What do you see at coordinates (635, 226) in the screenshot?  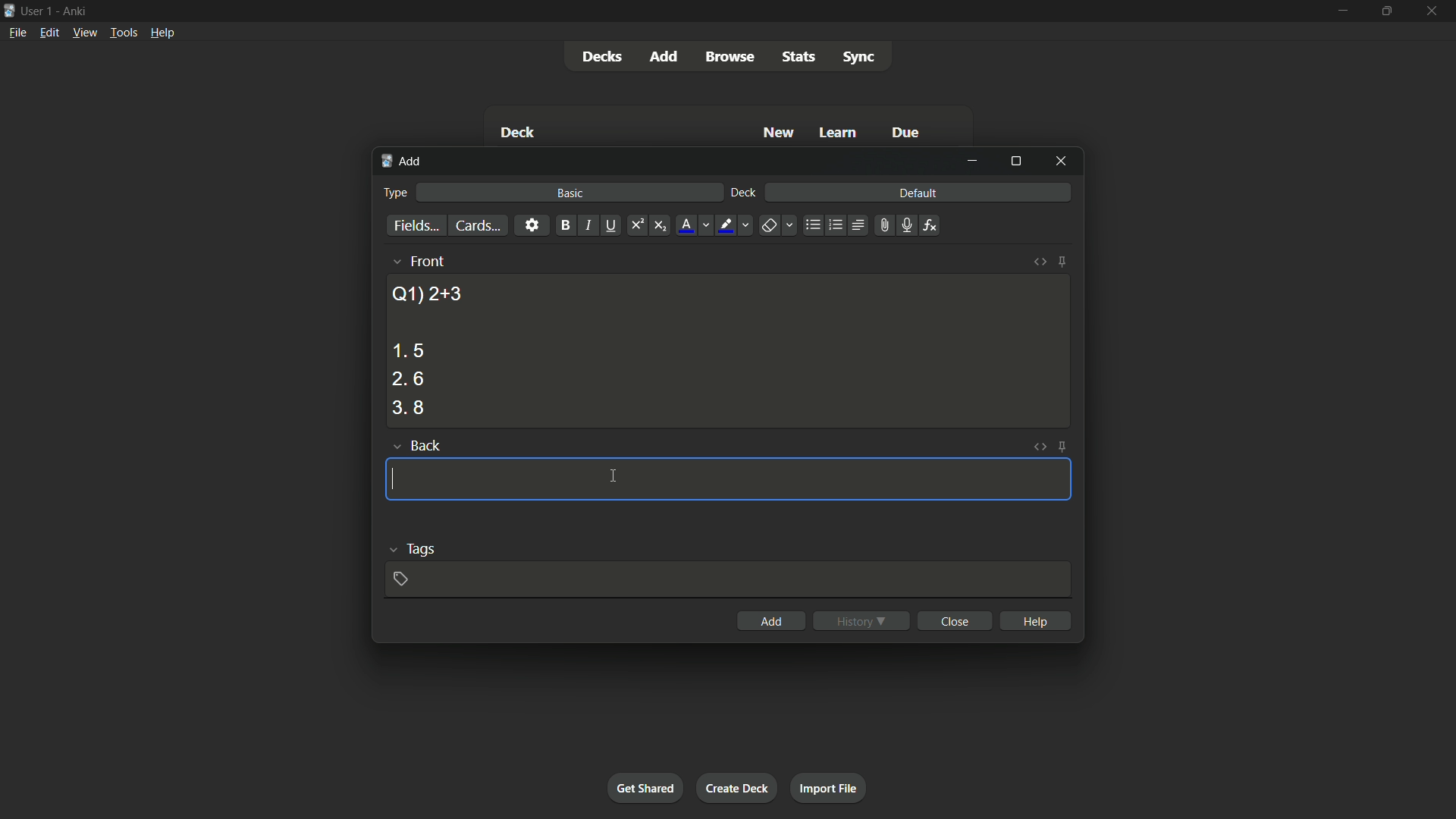 I see `supercript` at bounding box center [635, 226].